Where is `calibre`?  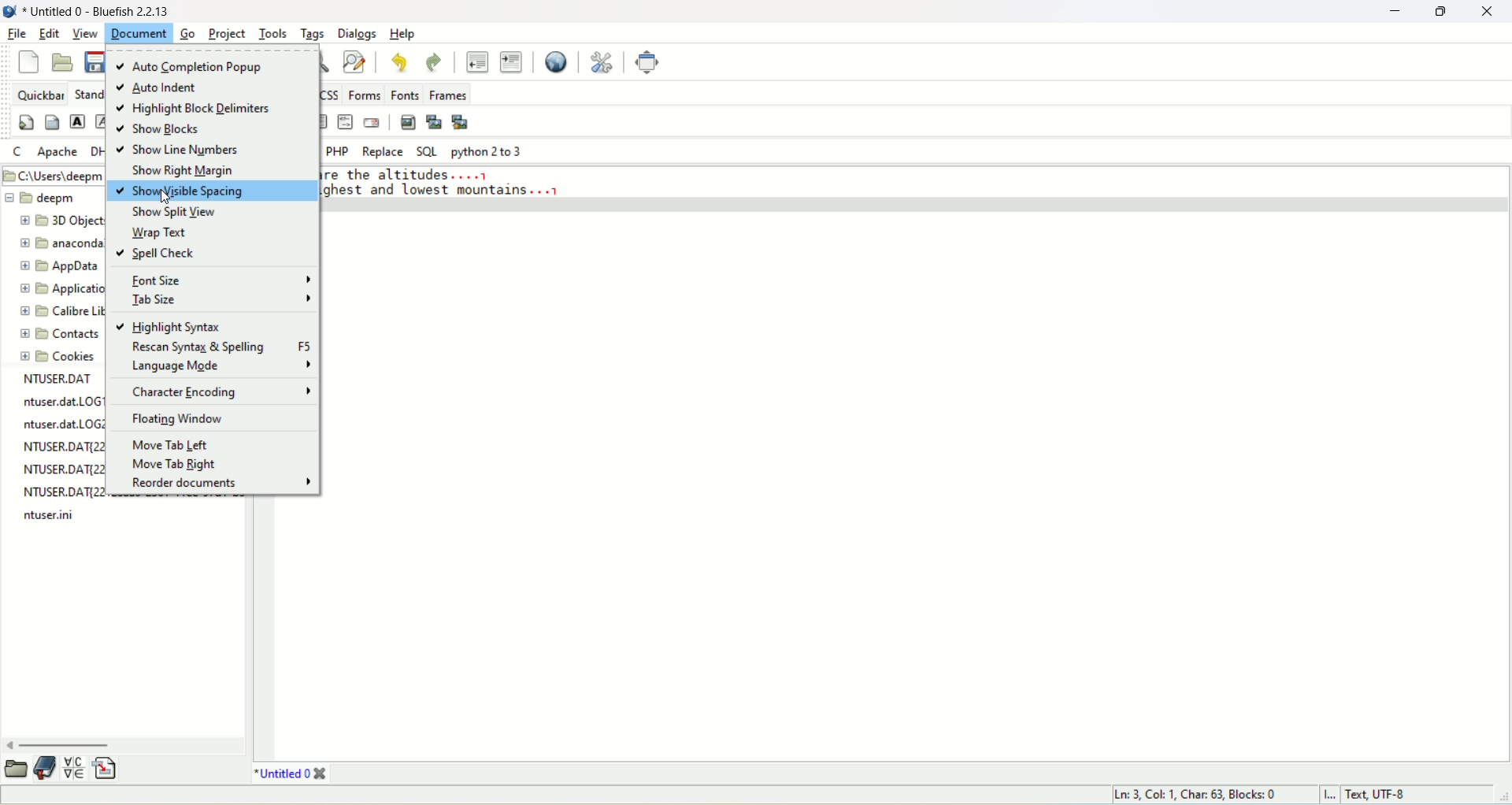 calibre is located at coordinates (58, 313).